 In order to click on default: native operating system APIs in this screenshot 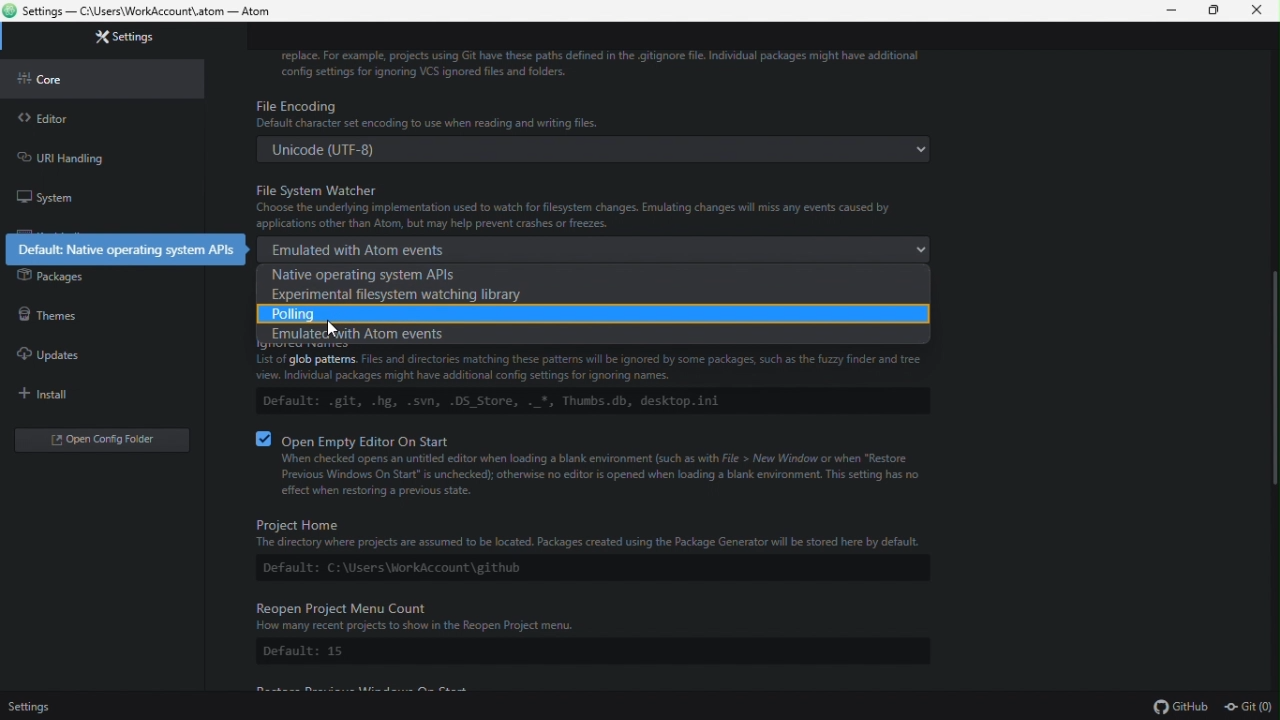, I will do `click(128, 250)`.